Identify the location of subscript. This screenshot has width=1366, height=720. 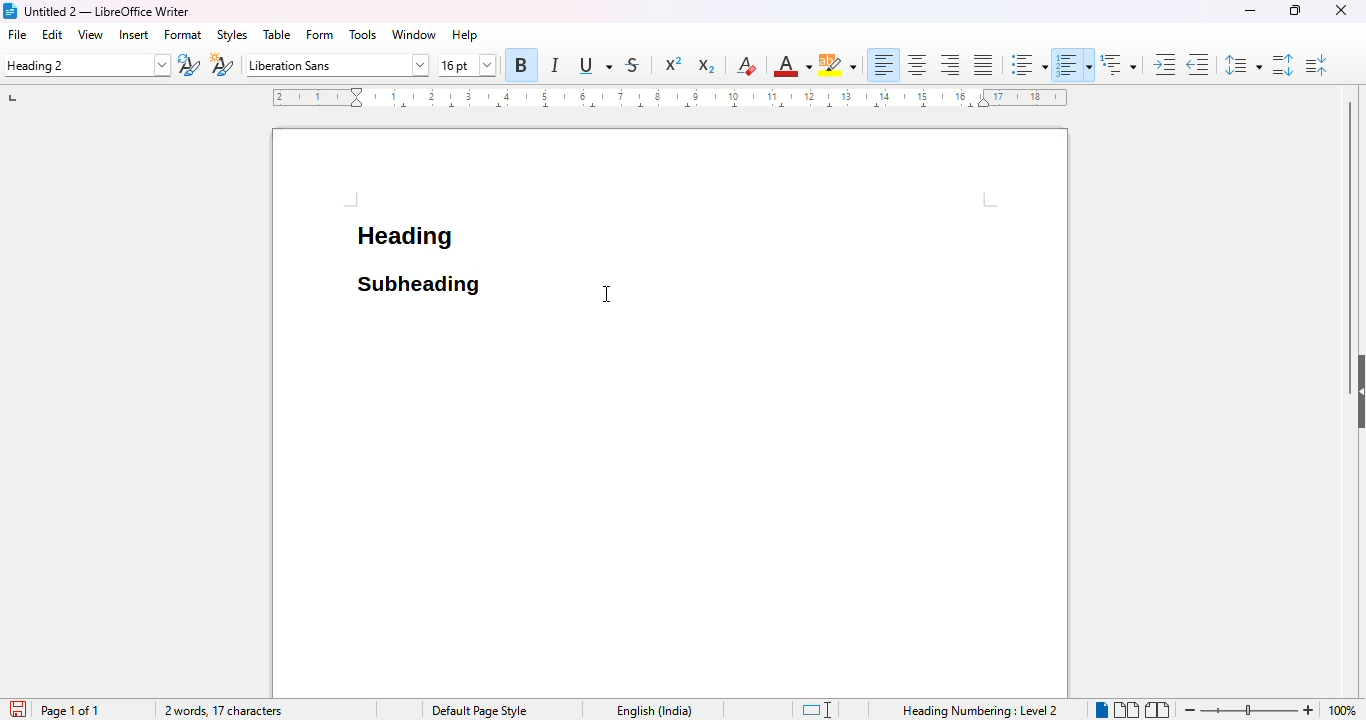
(706, 66).